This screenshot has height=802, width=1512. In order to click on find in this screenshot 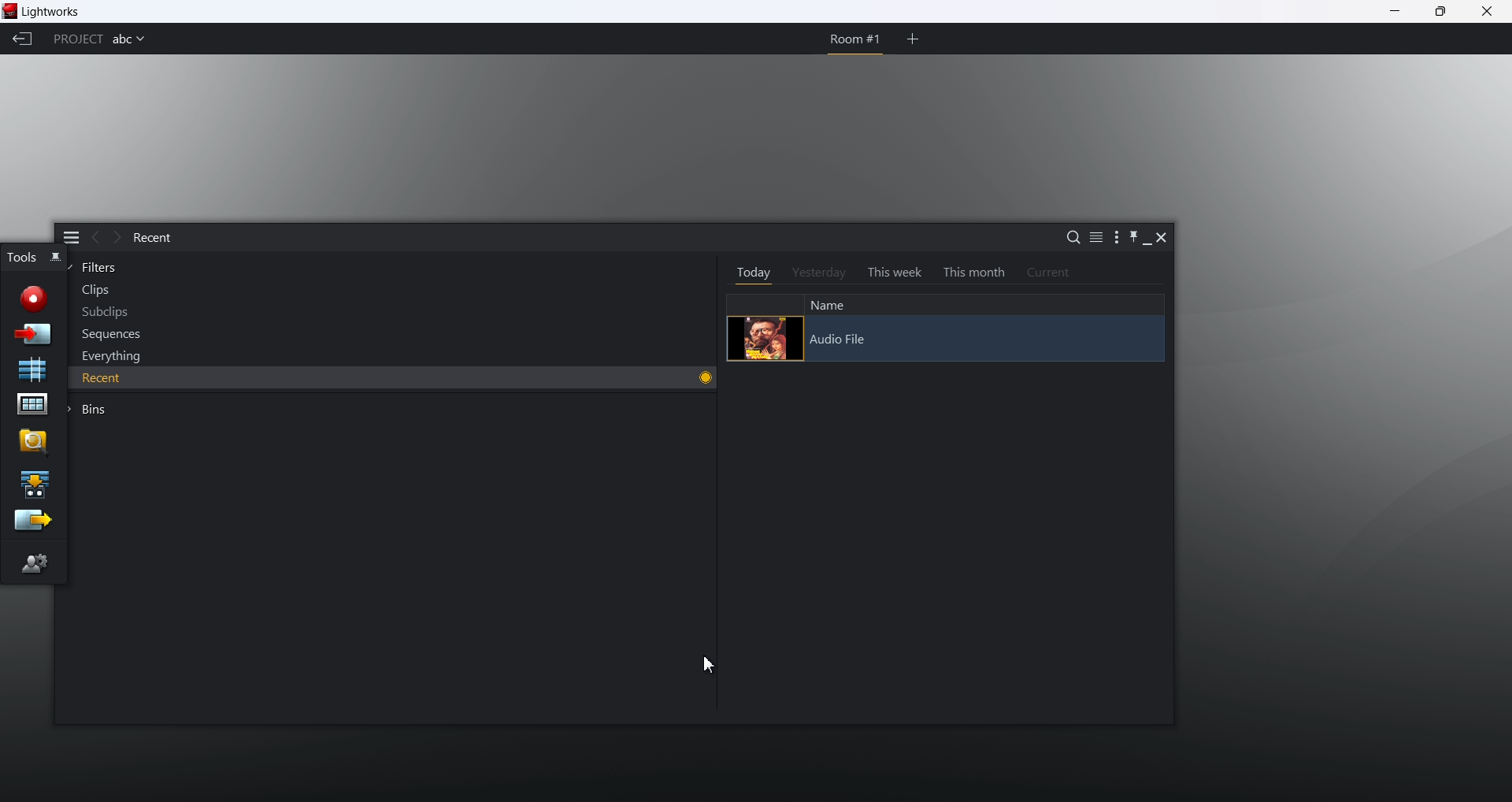, I will do `click(32, 441)`.